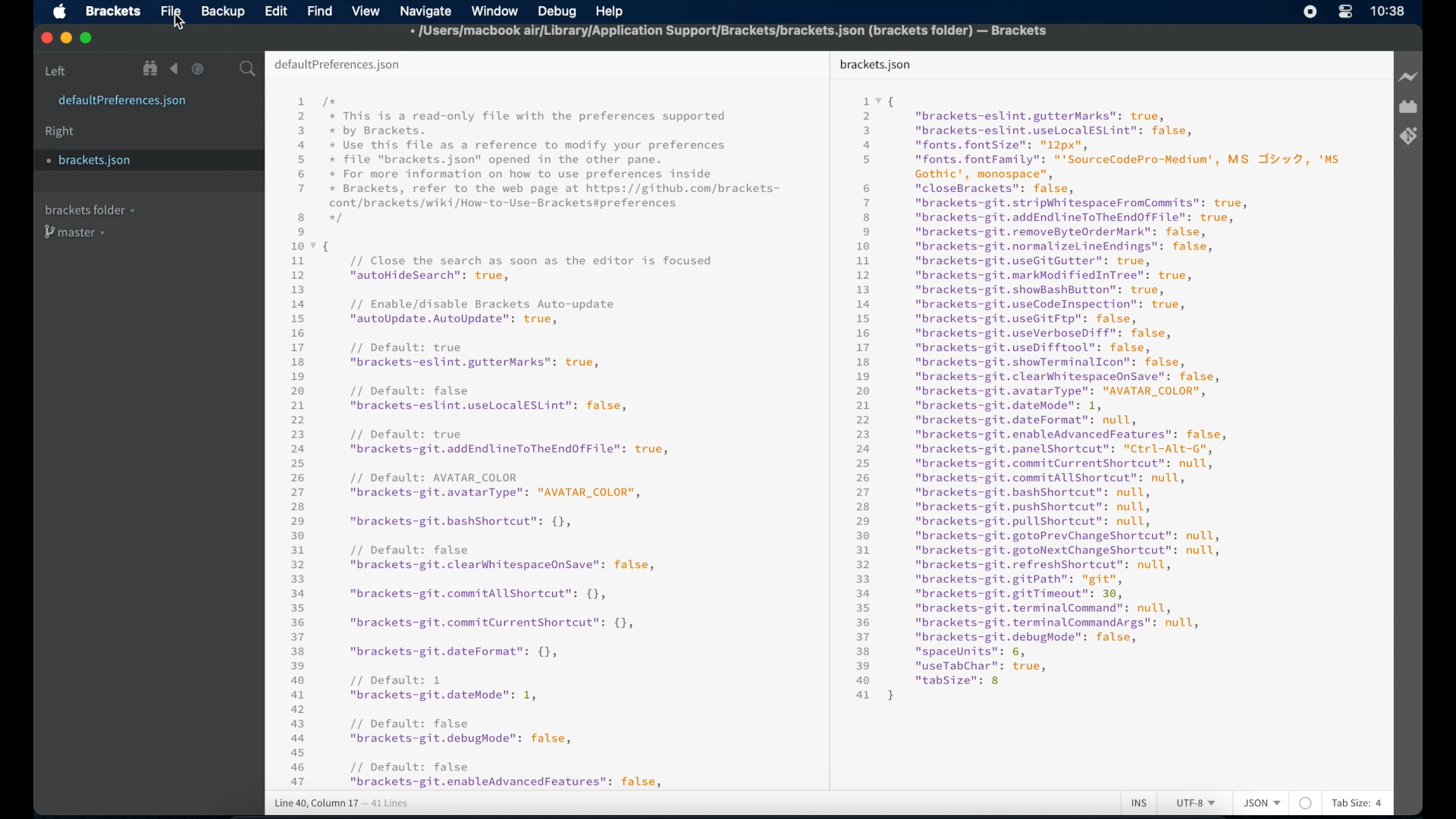 Image resolution: width=1456 pixels, height=819 pixels. I want to click on brackets.json, so click(875, 65).